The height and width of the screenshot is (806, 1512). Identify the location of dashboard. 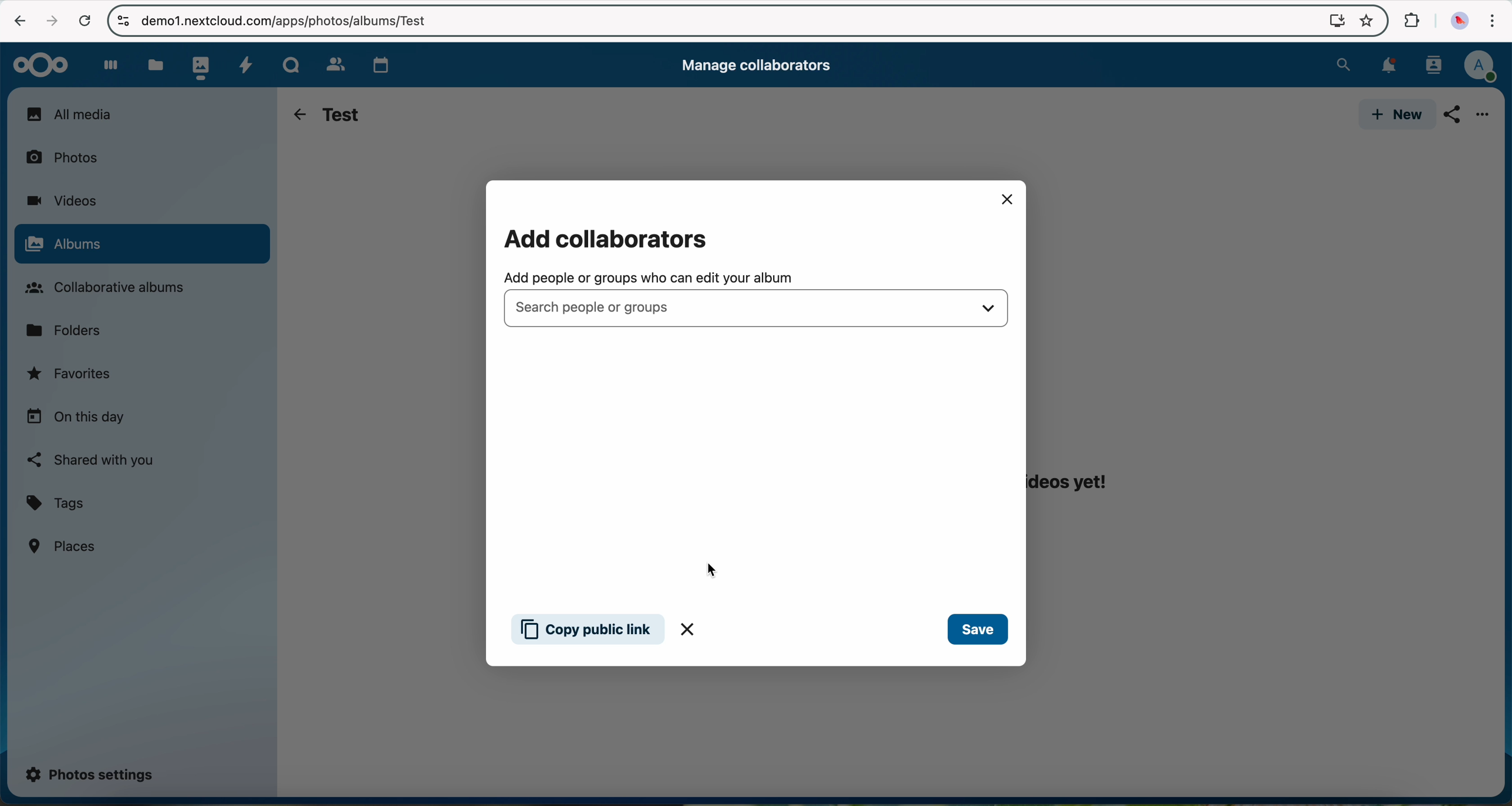
(105, 65).